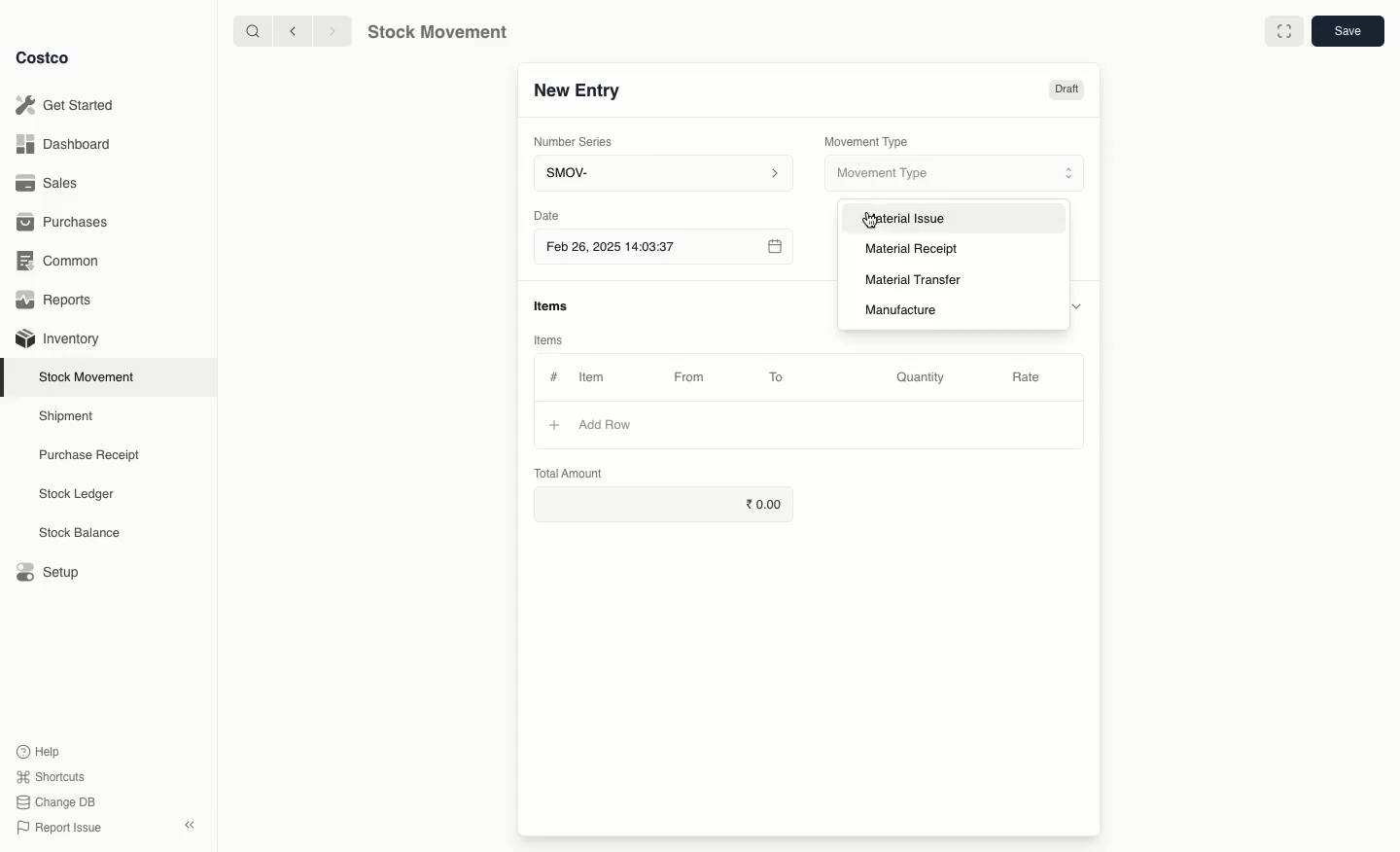 The height and width of the screenshot is (852, 1400). Describe the element at coordinates (51, 774) in the screenshot. I see `Shortcuts` at that location.